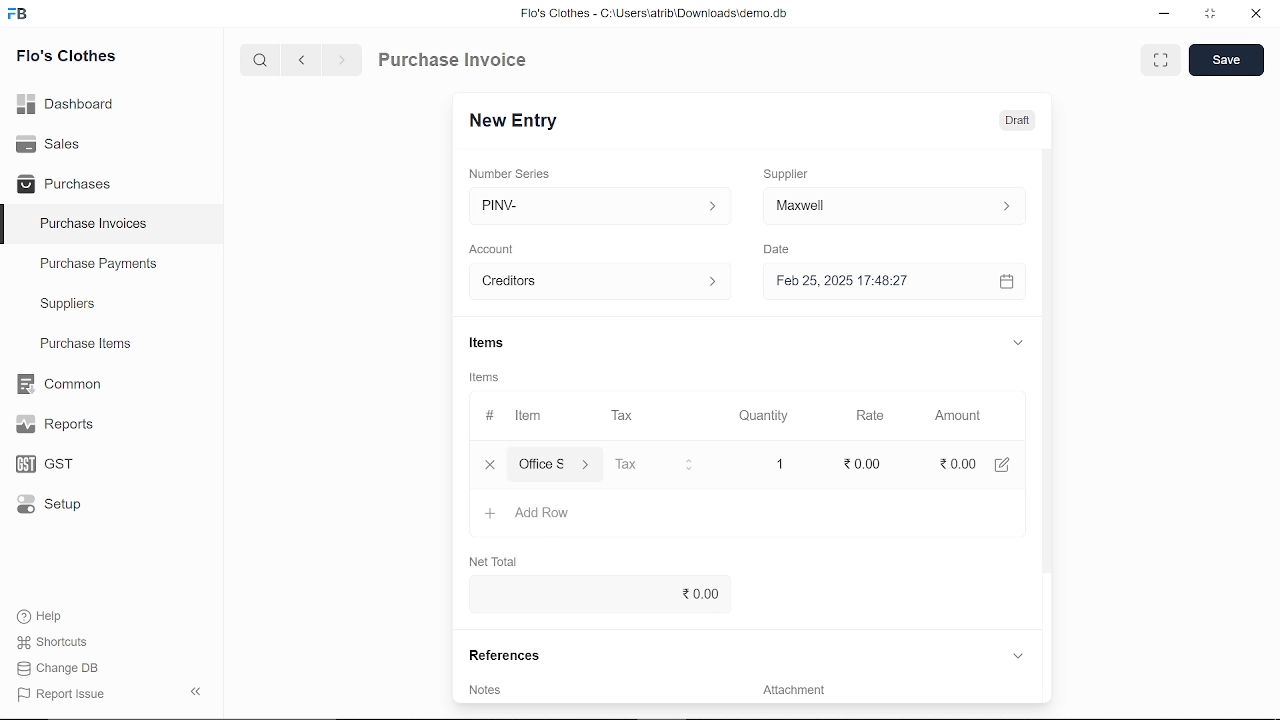  What do you see at coordinates (112, 268) in the screenshot?
I see `Purchase Payments` at bounding box center [112, 268].